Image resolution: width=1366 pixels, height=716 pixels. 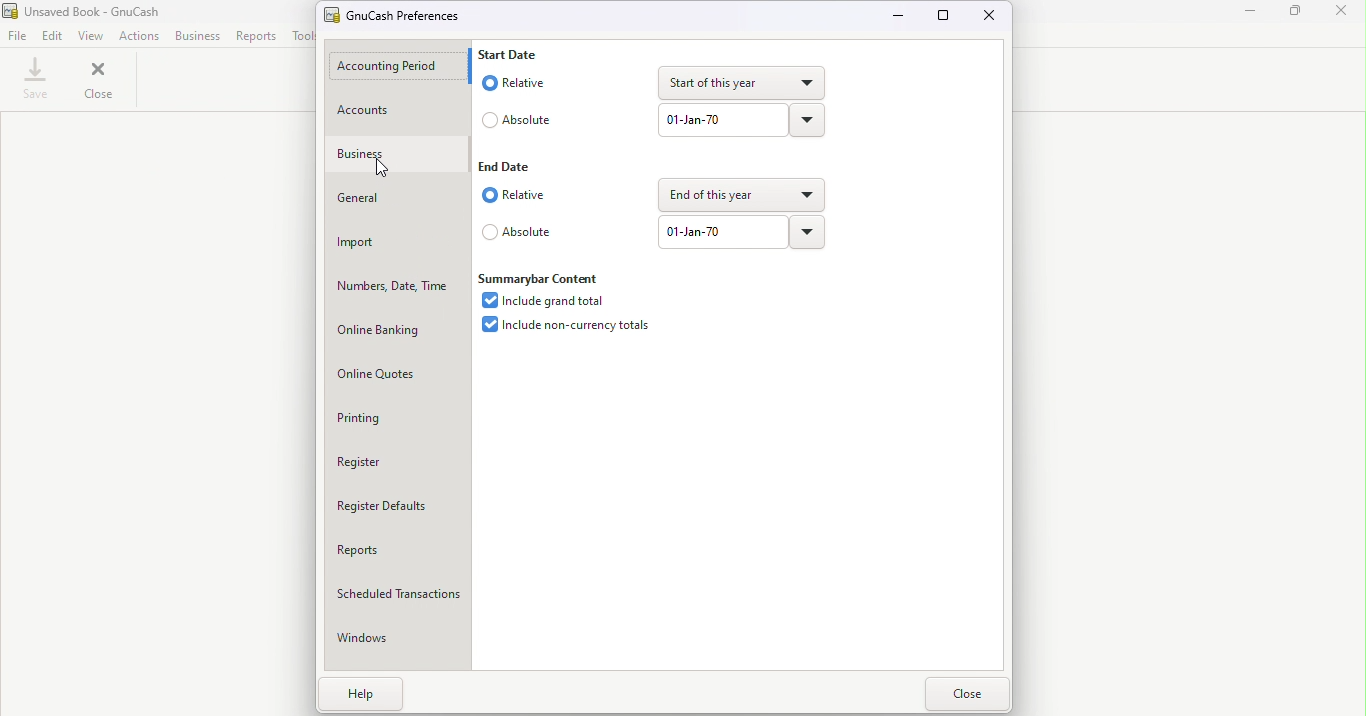 What do you see at coordinates (541, 277) in the screenshot?
I see `Summarybar content` at bounding box center [541, 277].